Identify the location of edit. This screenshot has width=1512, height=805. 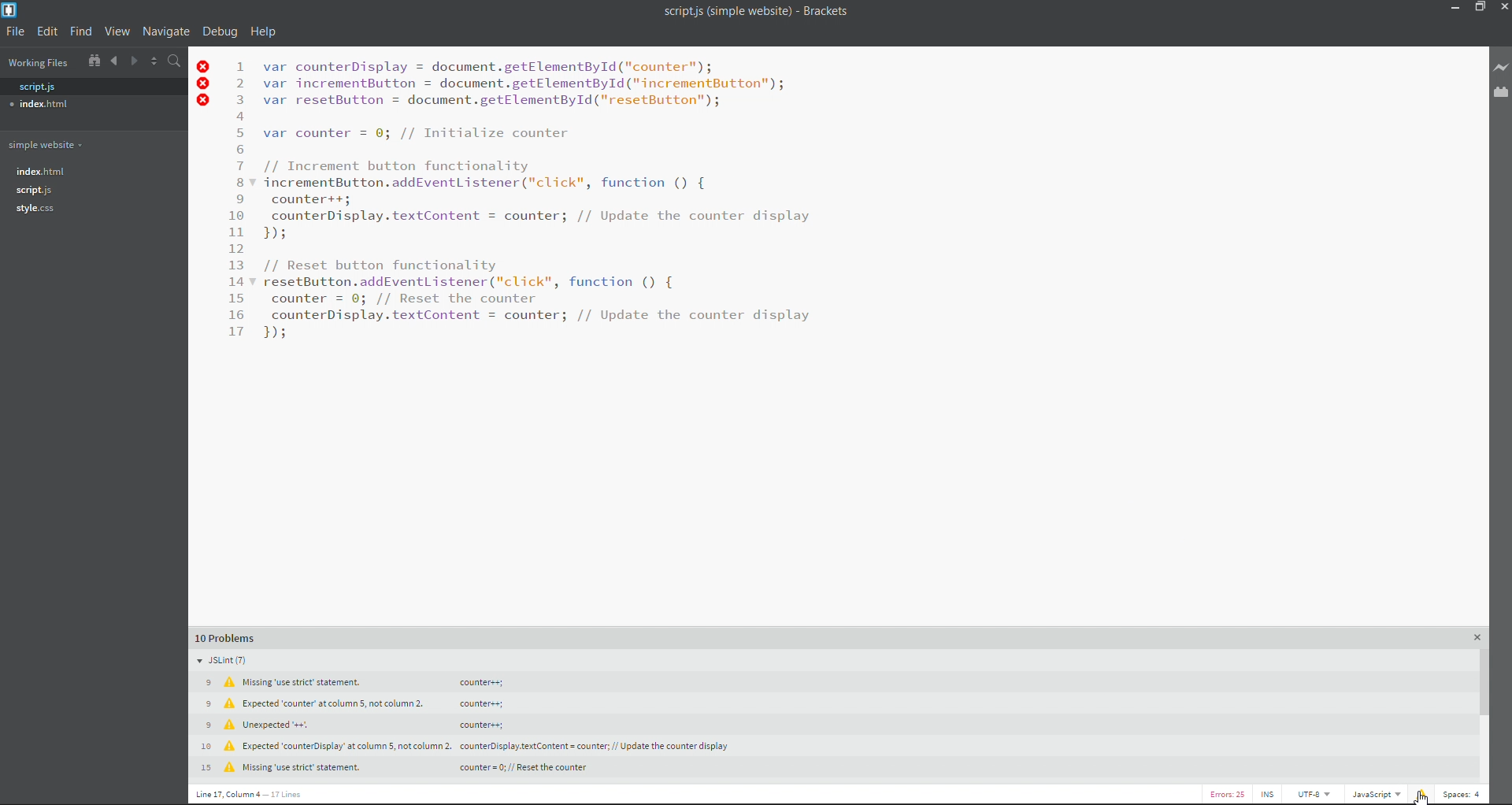
(50, 33).